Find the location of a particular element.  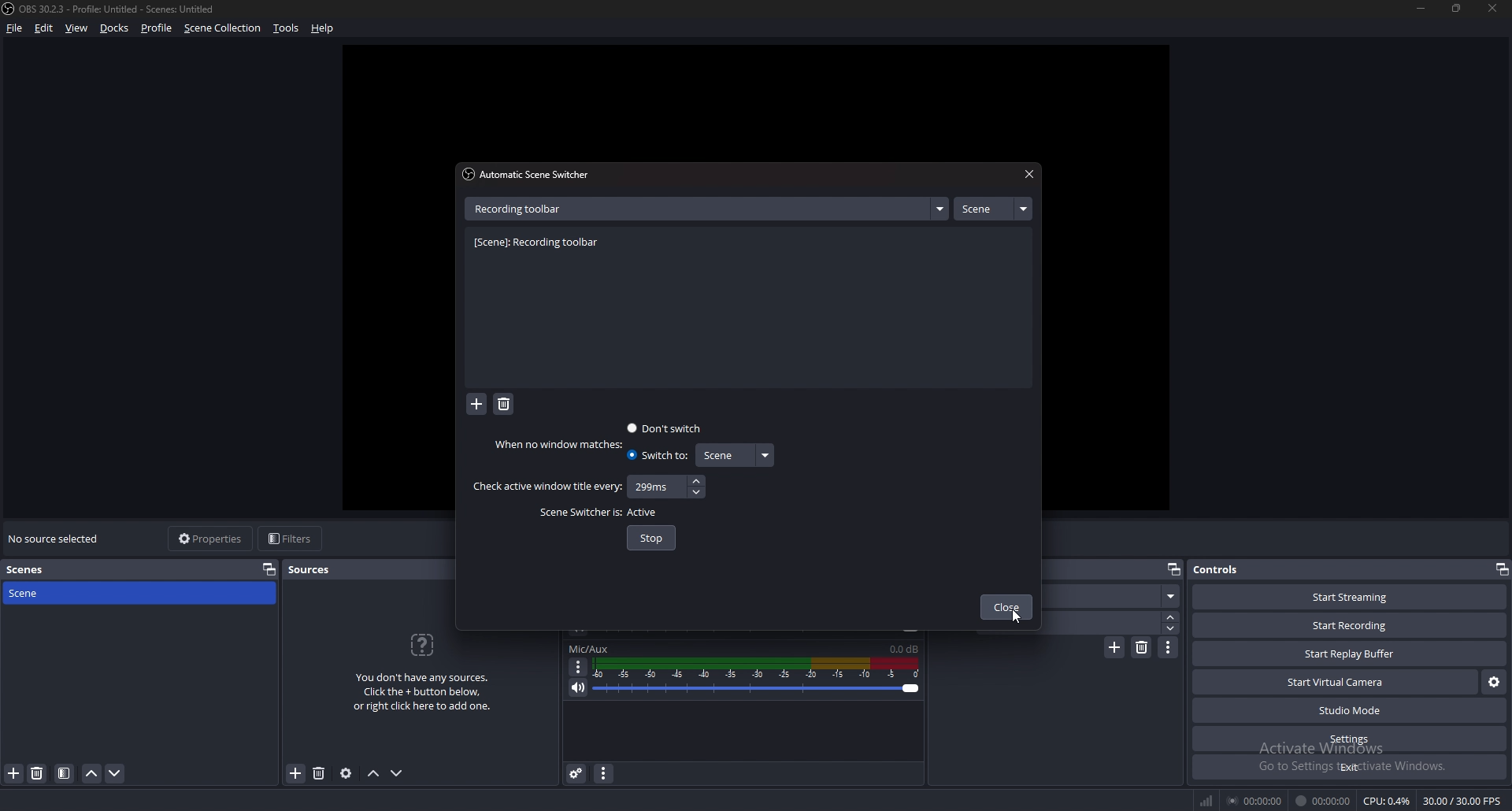

filter is located at coordinates (65, 773).